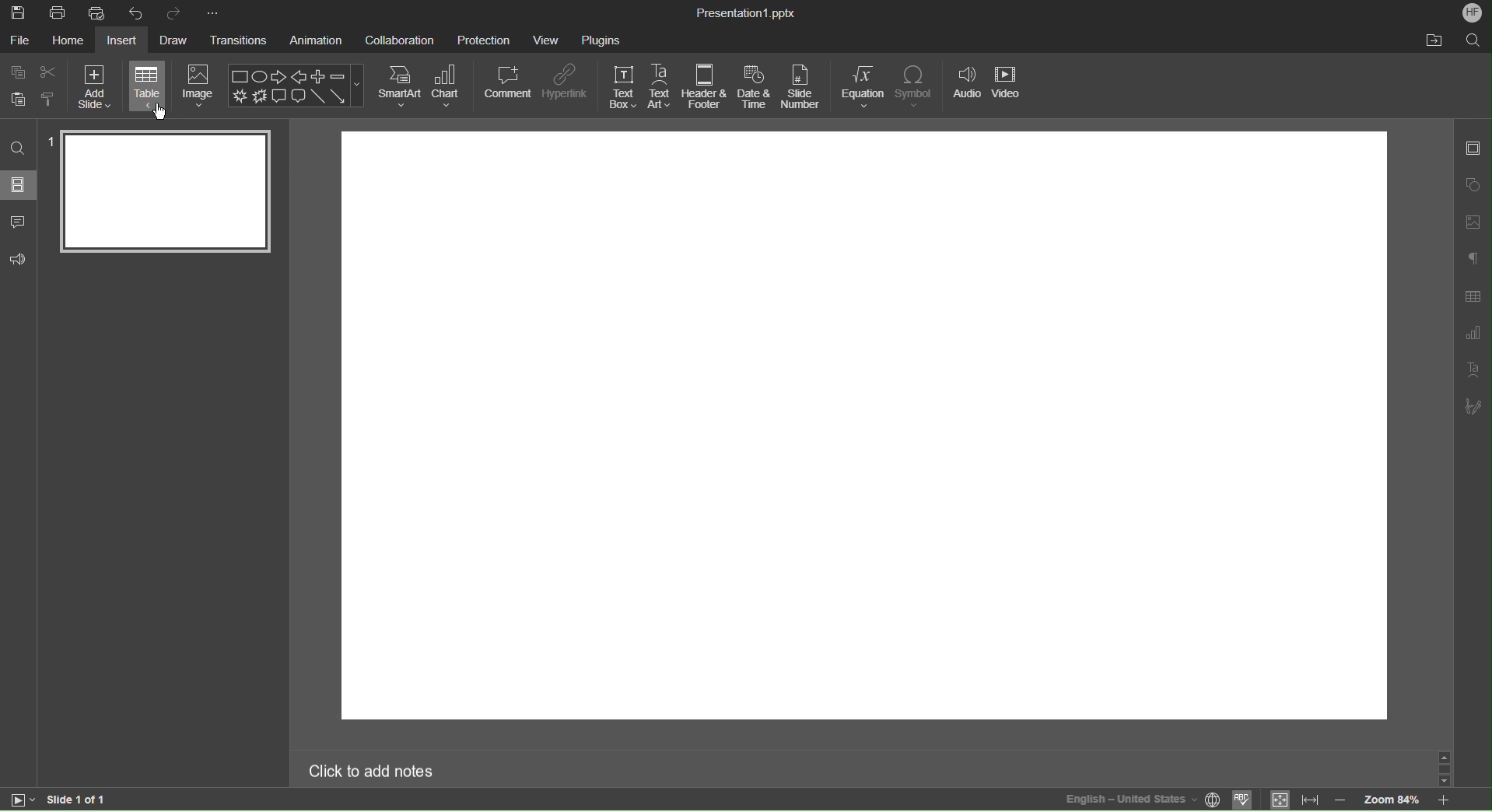  What do you see at coordinates (485, 39) in the screenshot?
I see `Protection` at bounding box center [485, 39].